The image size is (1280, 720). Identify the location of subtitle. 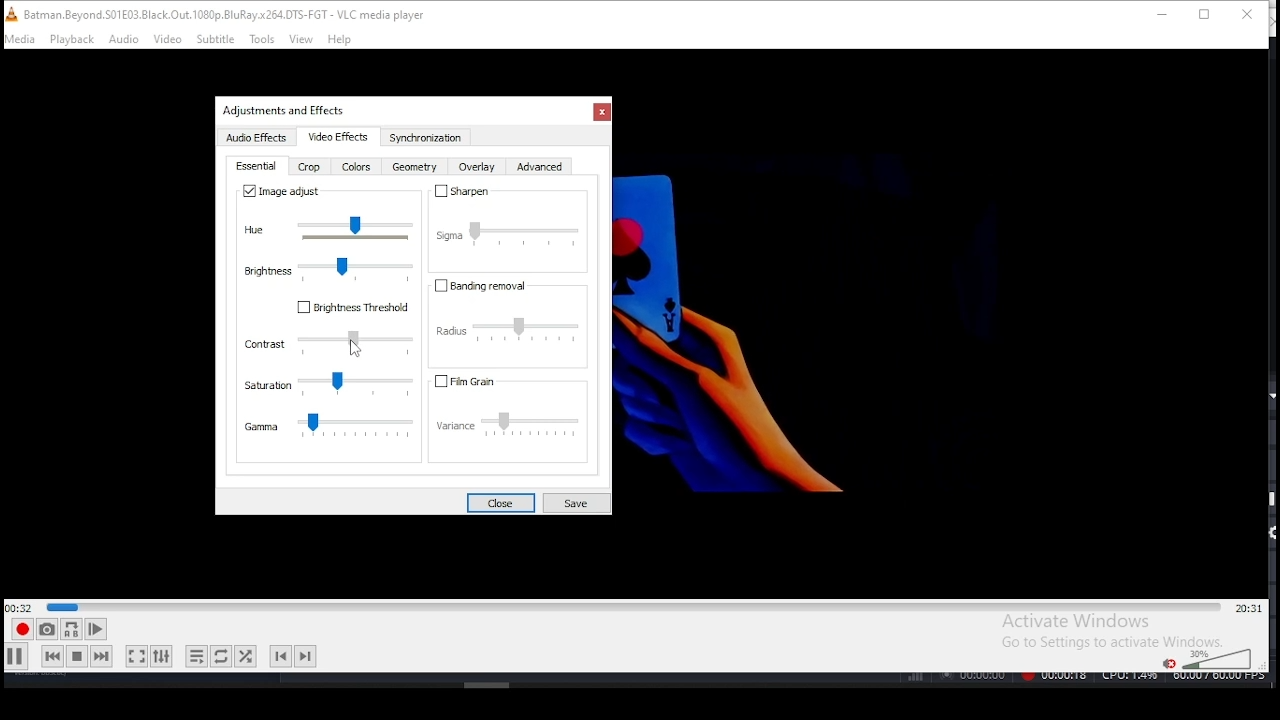
(216, 40).